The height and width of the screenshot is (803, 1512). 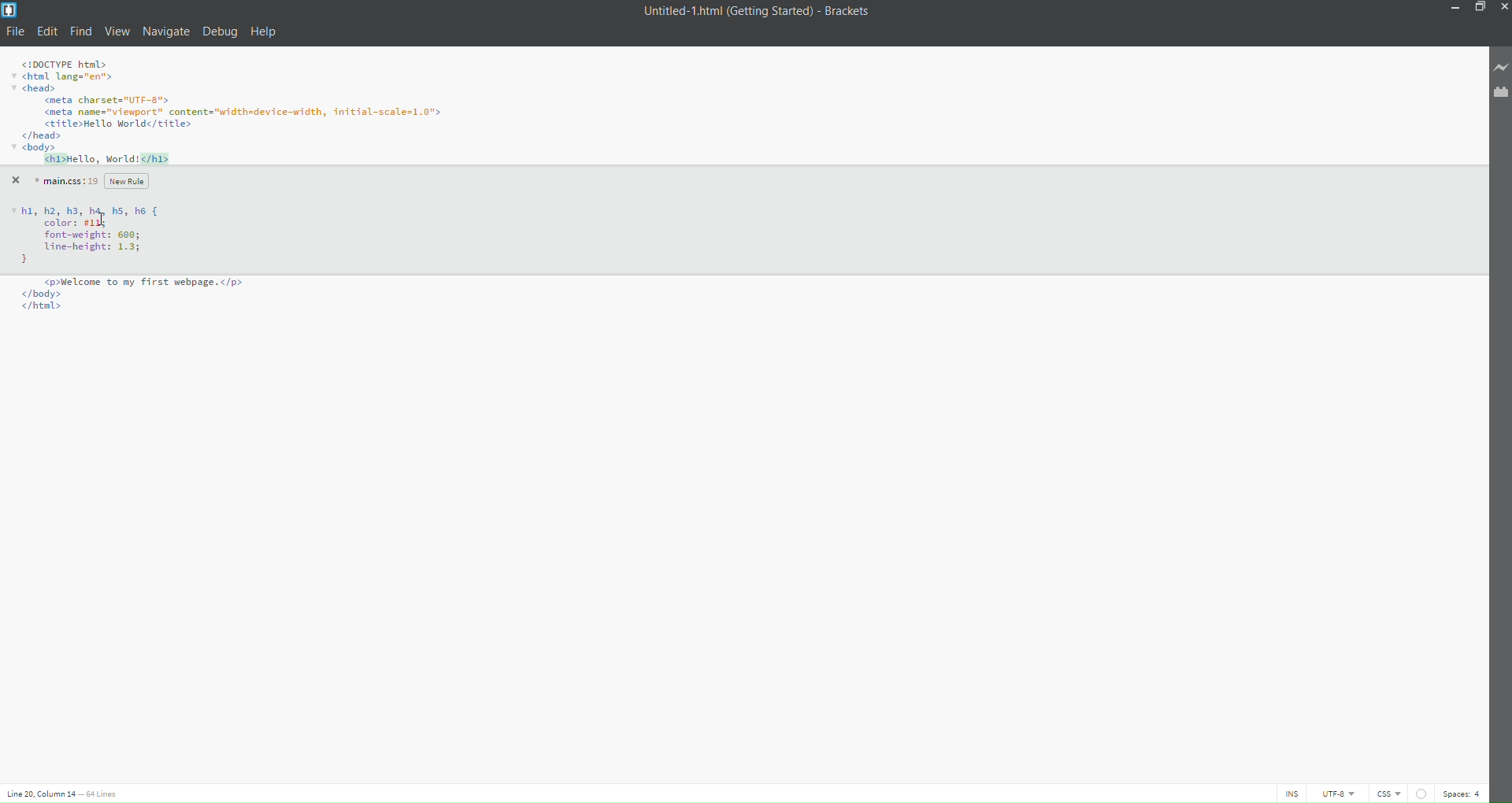 What do you see at coordinates (752, 12) in the screenshot?
I see `title` at bounding box center [752, 12].